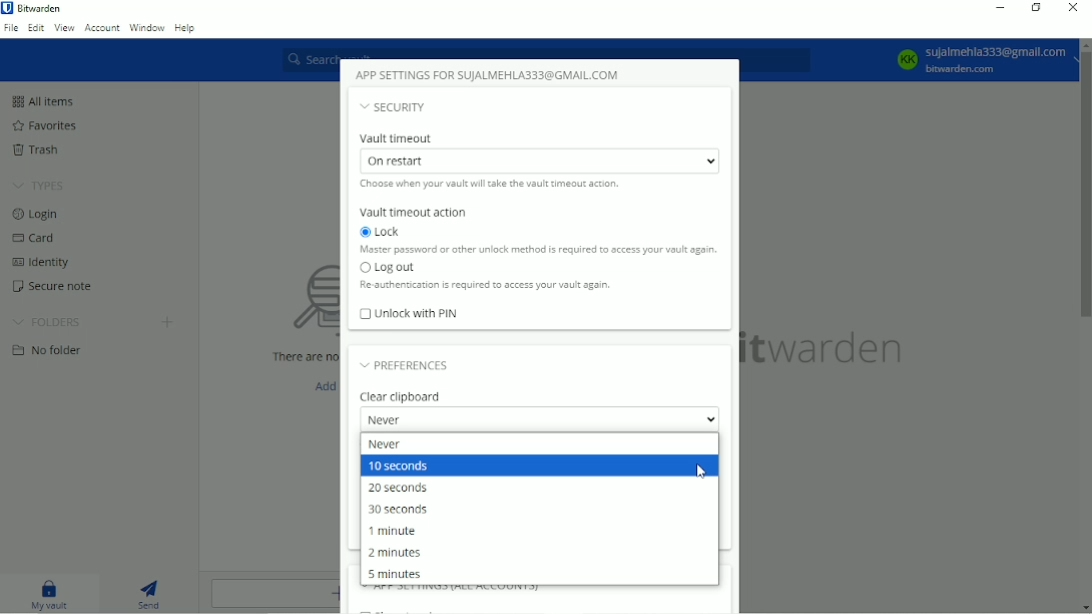  I want to click on 1 minute, so click(395, 531).